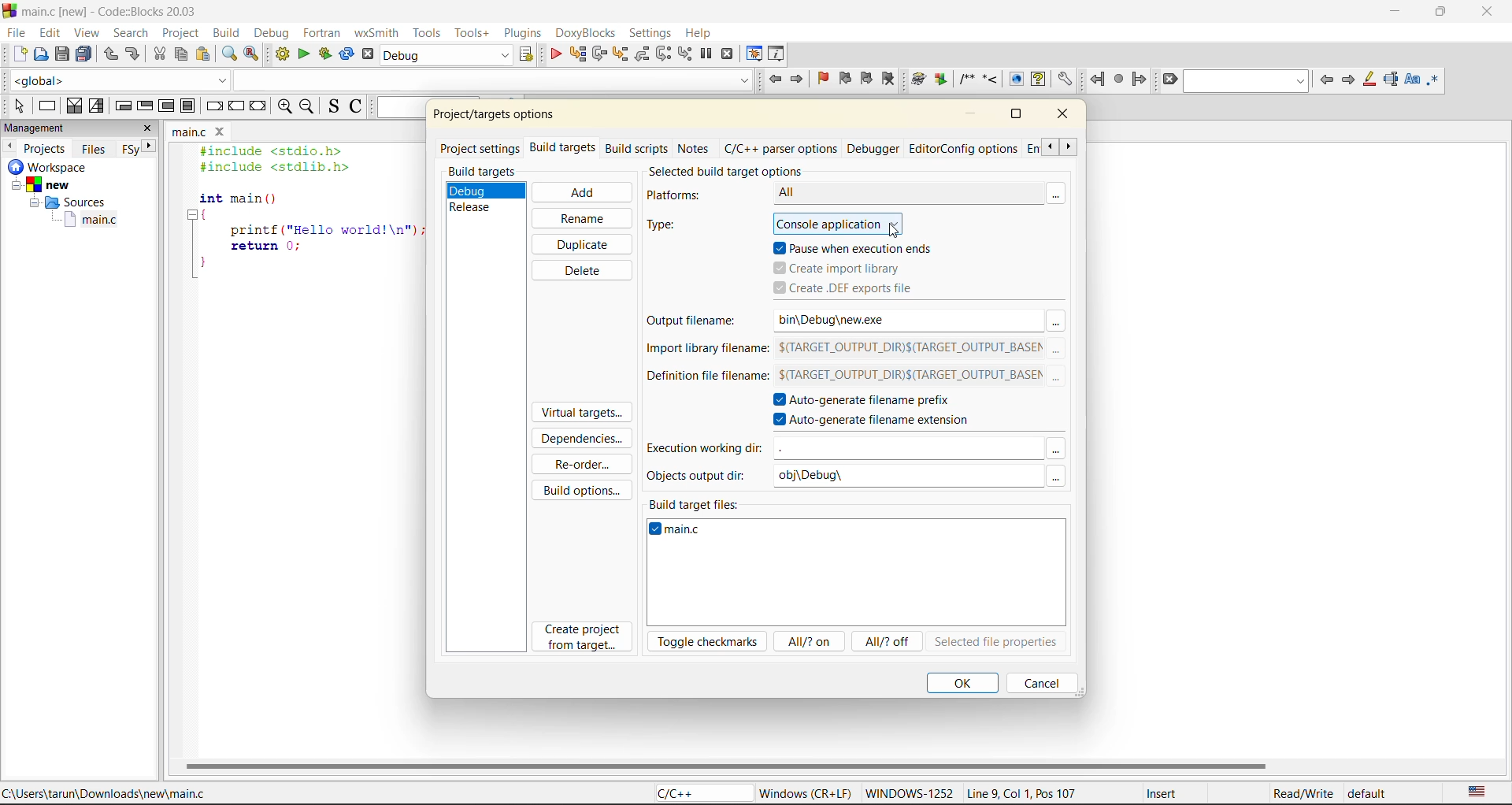 The height and width of the screenshot is (805, 1512). Describe the element at coordinates (686, 54) in the screenshot. I see `step into instruction` at that location.